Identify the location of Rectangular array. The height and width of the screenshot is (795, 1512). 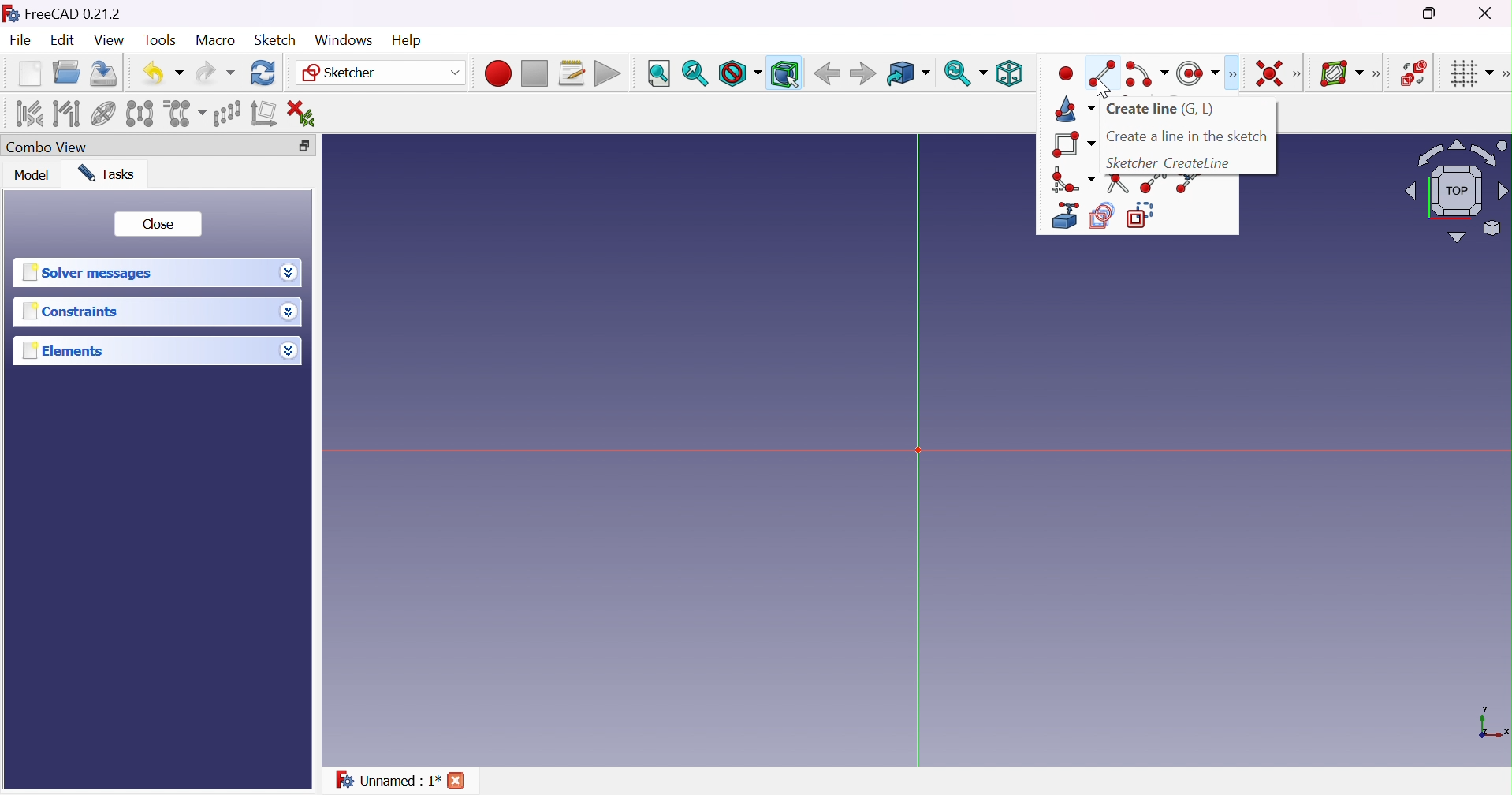
(225, 113).